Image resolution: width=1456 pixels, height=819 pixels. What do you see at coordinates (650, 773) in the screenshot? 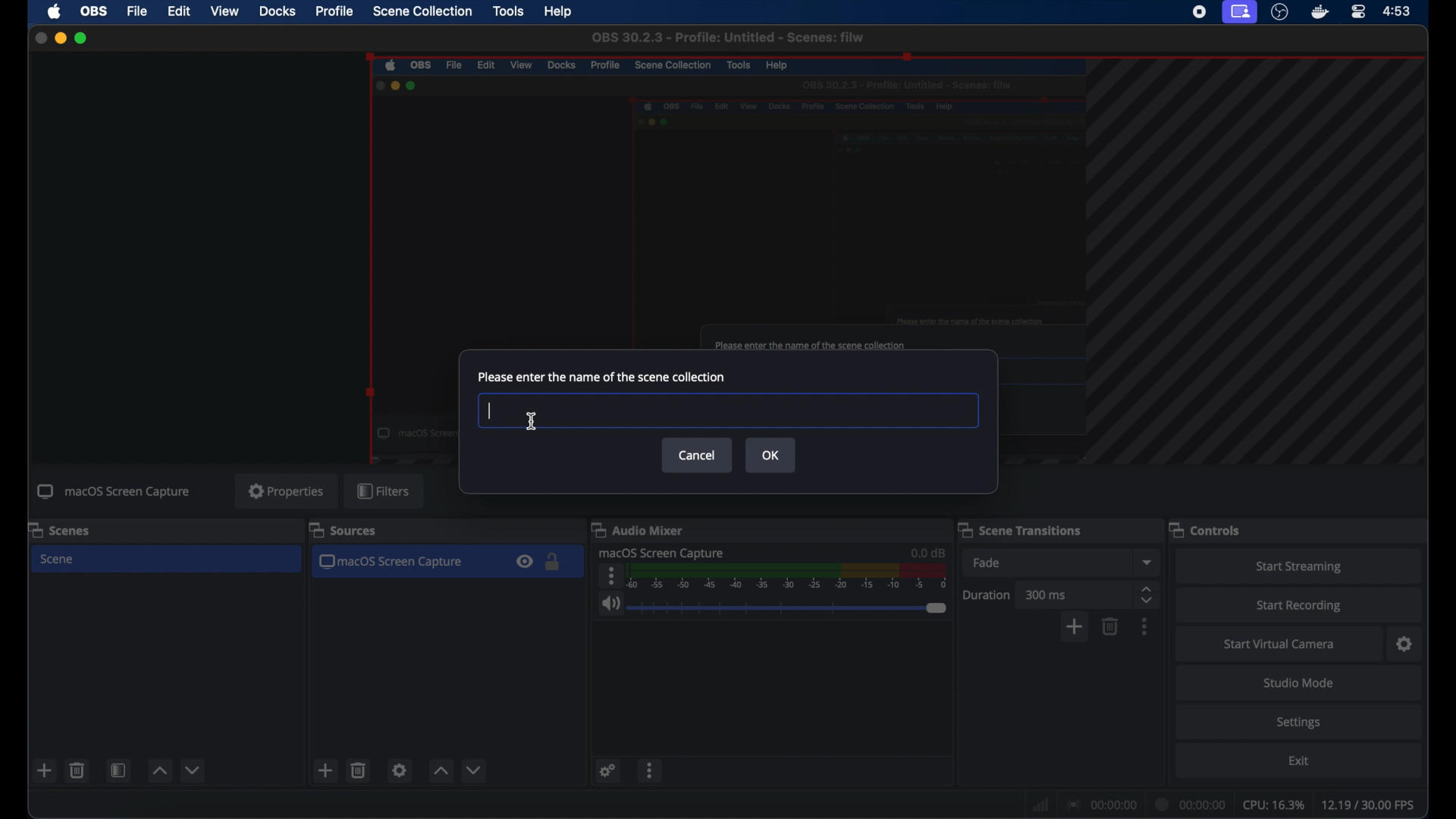
I see `more options` at bounding box center [650, 773].